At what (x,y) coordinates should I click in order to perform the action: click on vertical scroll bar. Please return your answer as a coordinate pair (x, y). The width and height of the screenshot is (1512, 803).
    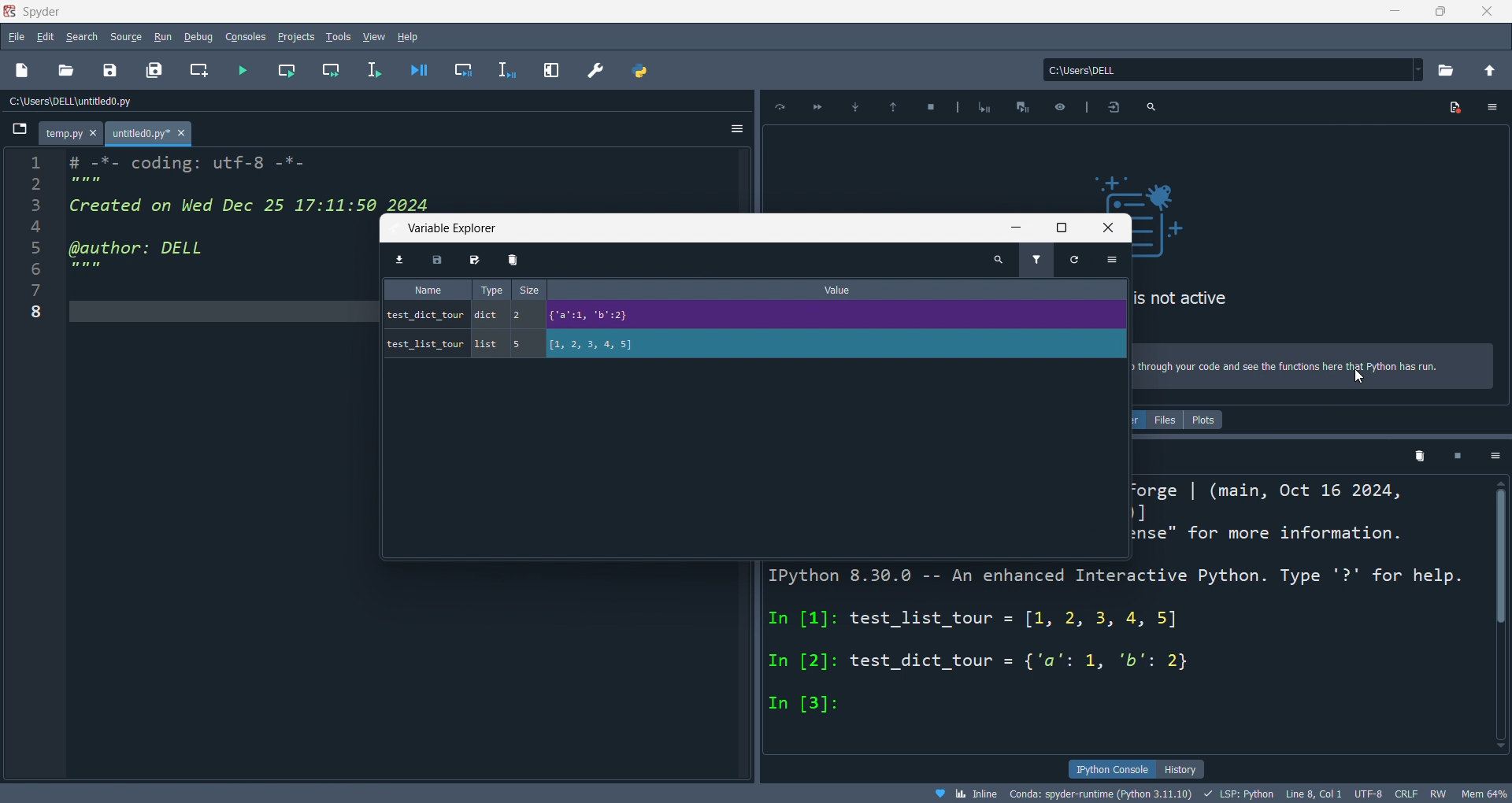
    Looking at the image, I should click on (1503, 610).